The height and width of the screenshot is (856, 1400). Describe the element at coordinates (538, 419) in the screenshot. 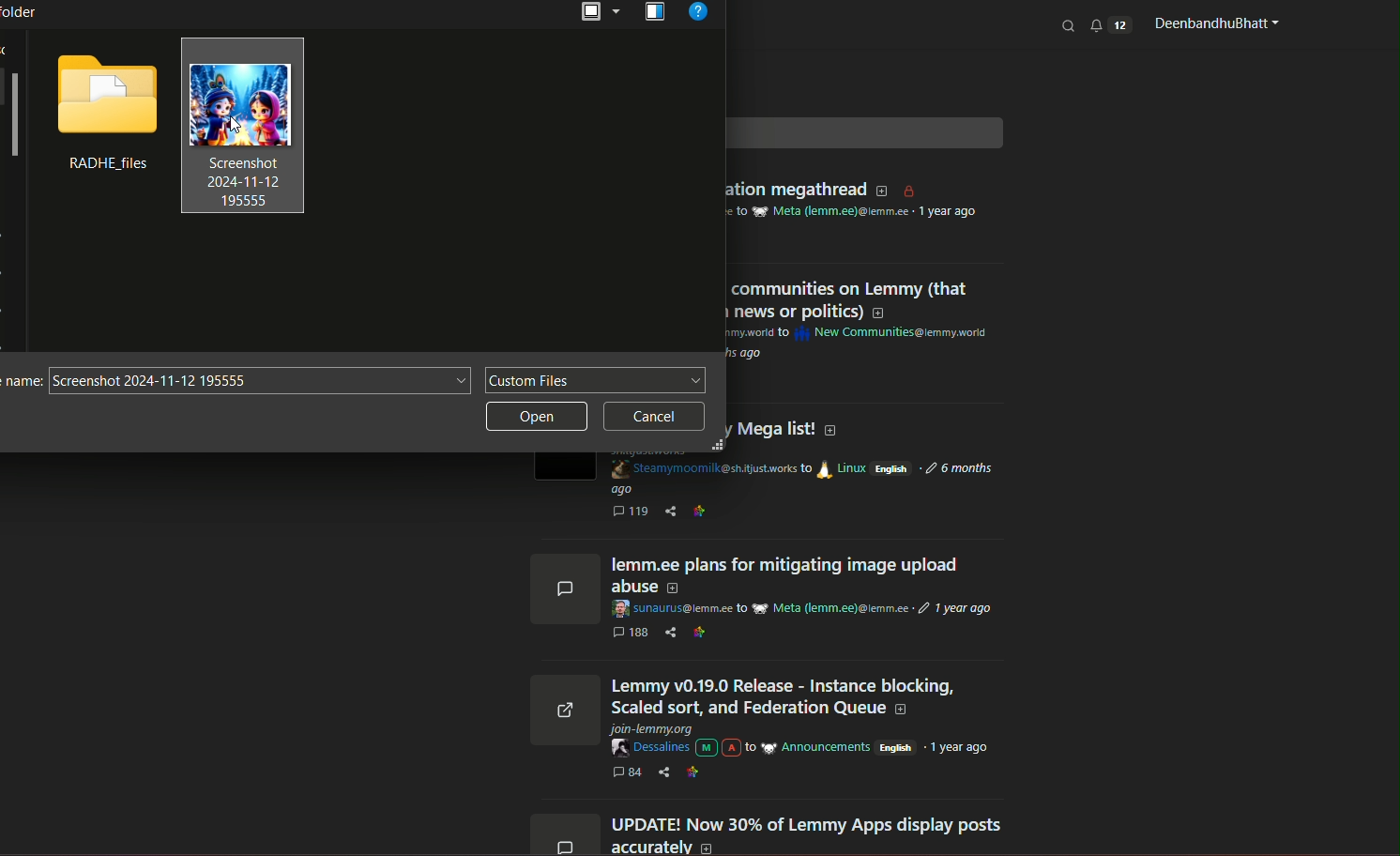

I see `open` at that location.